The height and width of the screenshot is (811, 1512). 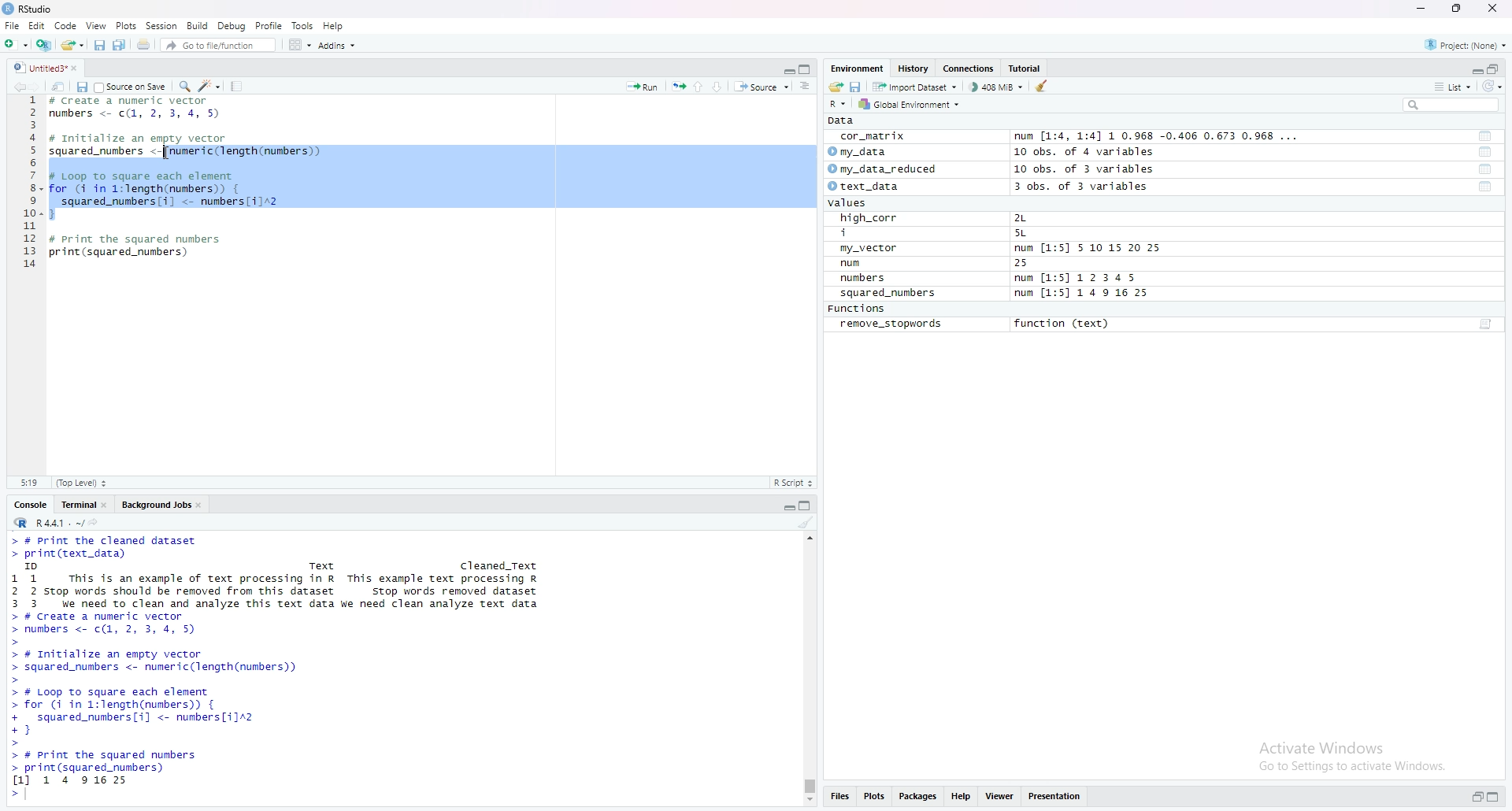 I want to click on maximize, so click(x=807, y=69).